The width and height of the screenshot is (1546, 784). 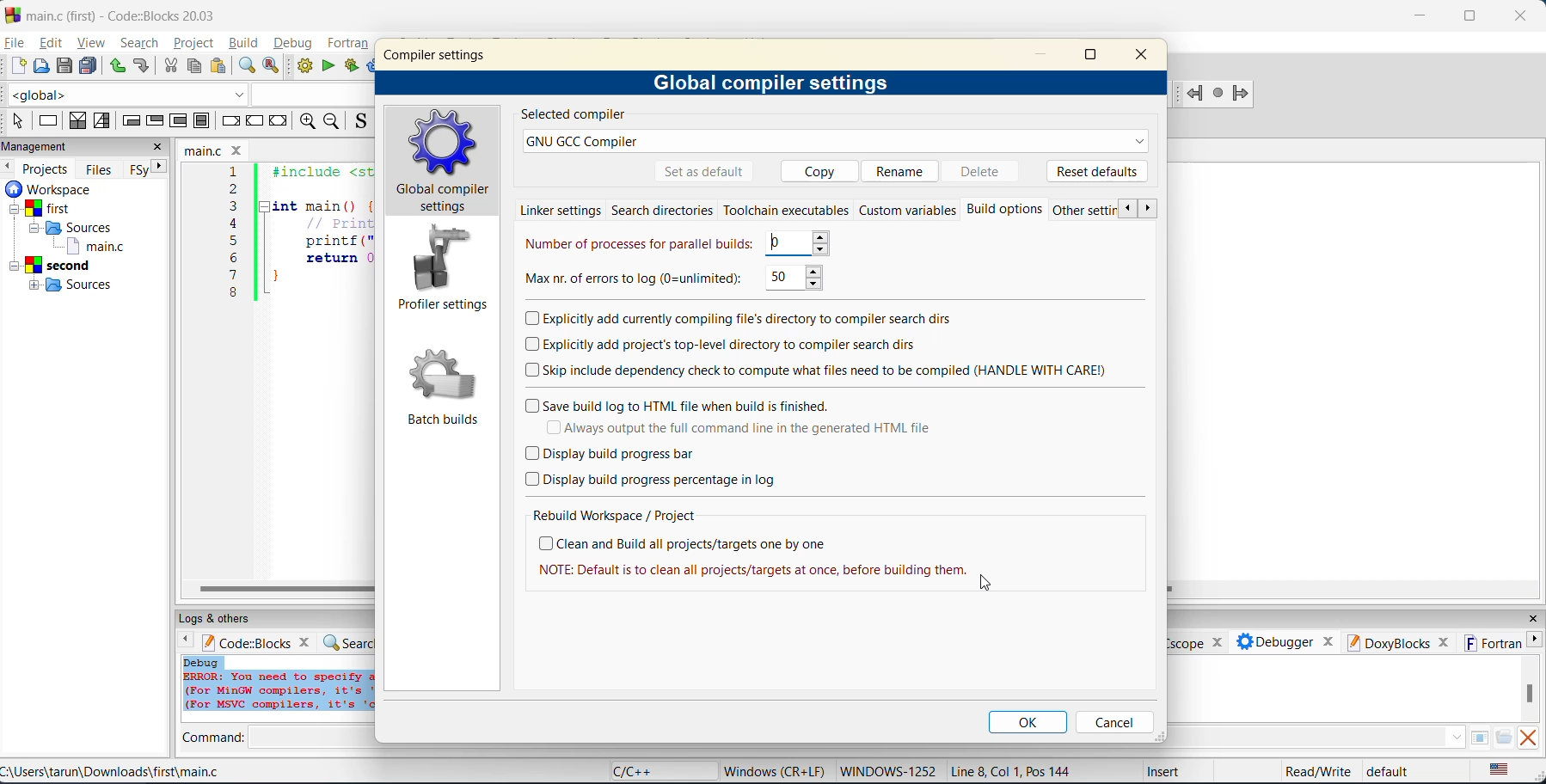 What do you see at coordinates (350, 44) in the screenshot?
I see `fortran` at bounding box center [350, 44].